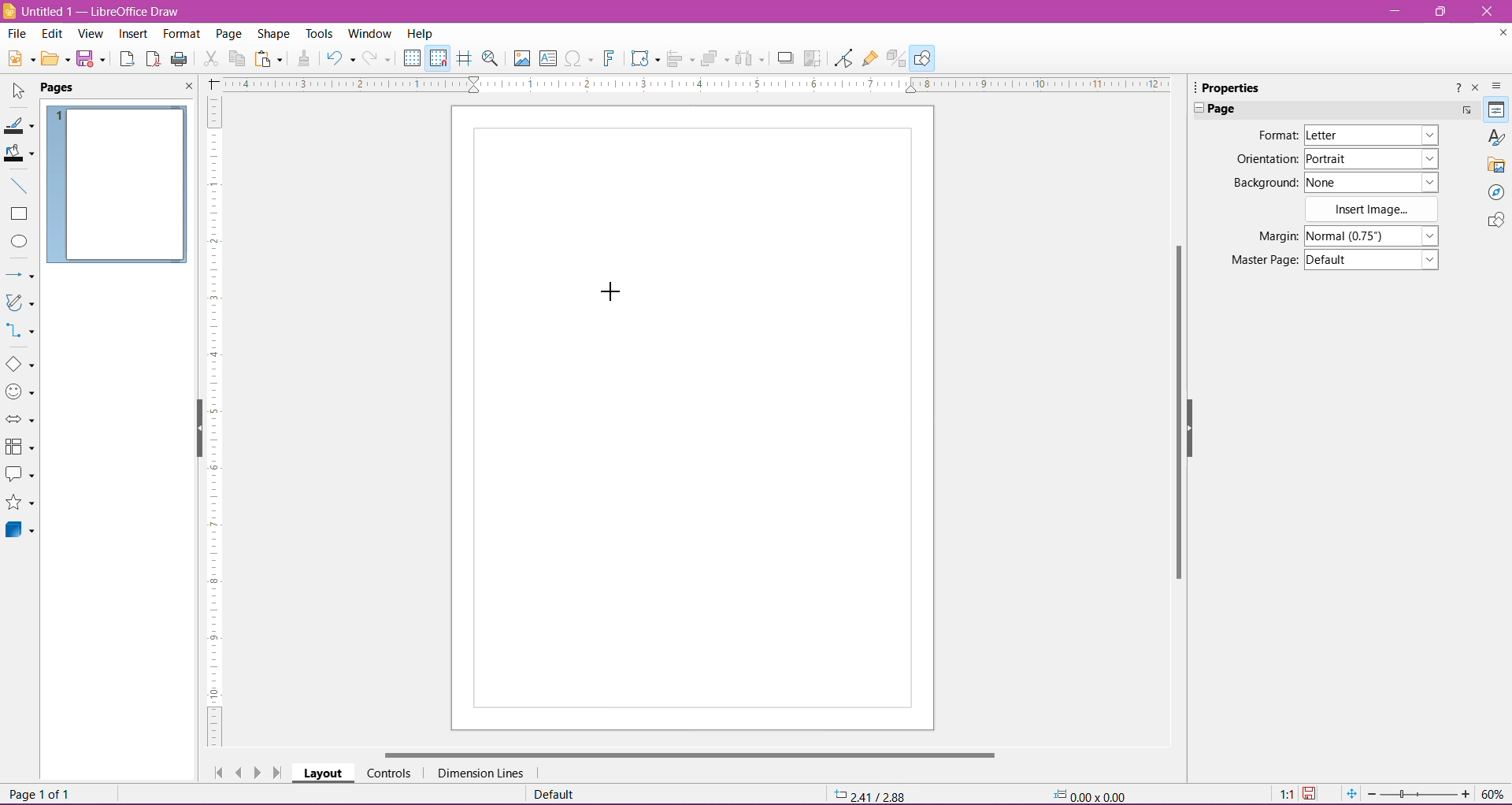 The image size is (1512, 805). I want to click on Basic Shapes, so click(20, 364).